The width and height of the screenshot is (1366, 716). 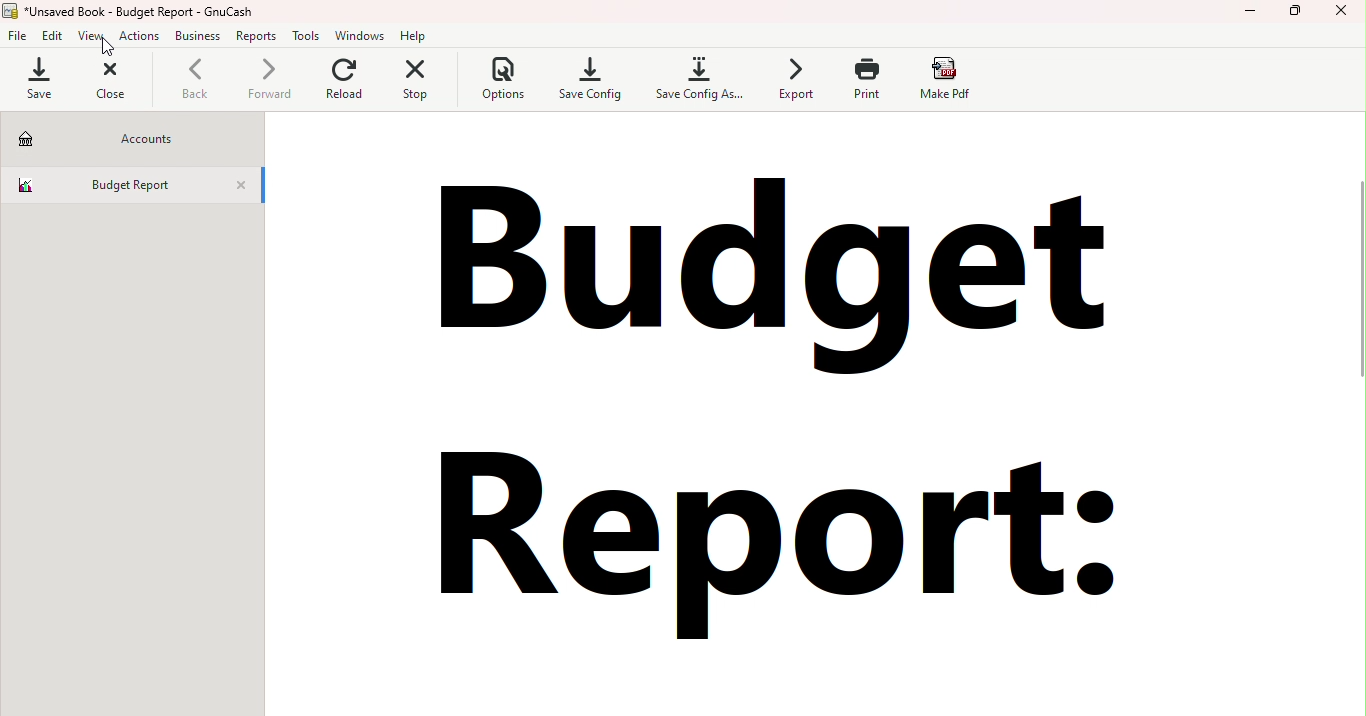 I want to click on Tools, so click(x=305, y=37).